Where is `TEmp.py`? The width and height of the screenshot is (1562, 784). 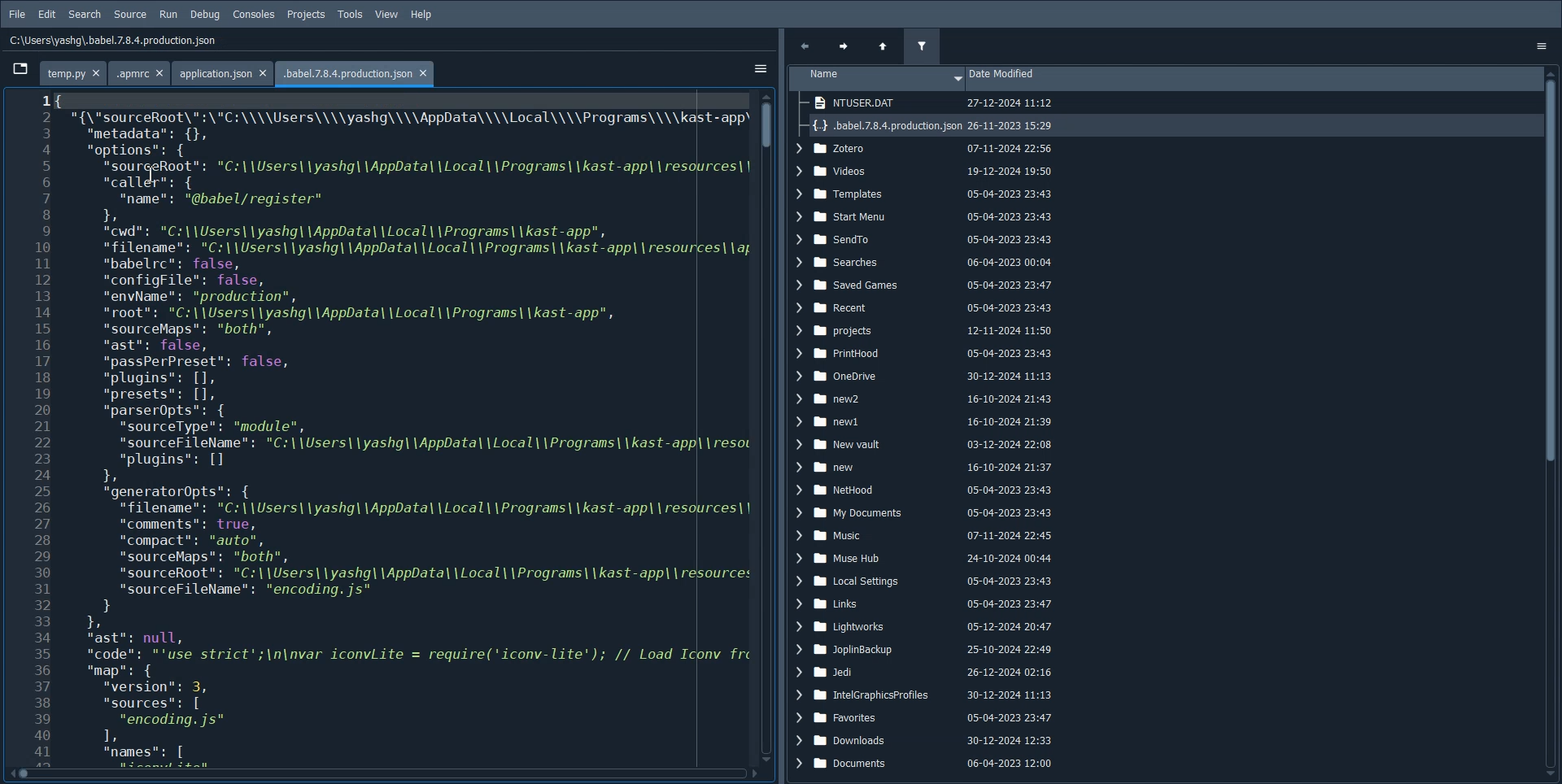
TEmp.py is located at coordinates (74, 71).